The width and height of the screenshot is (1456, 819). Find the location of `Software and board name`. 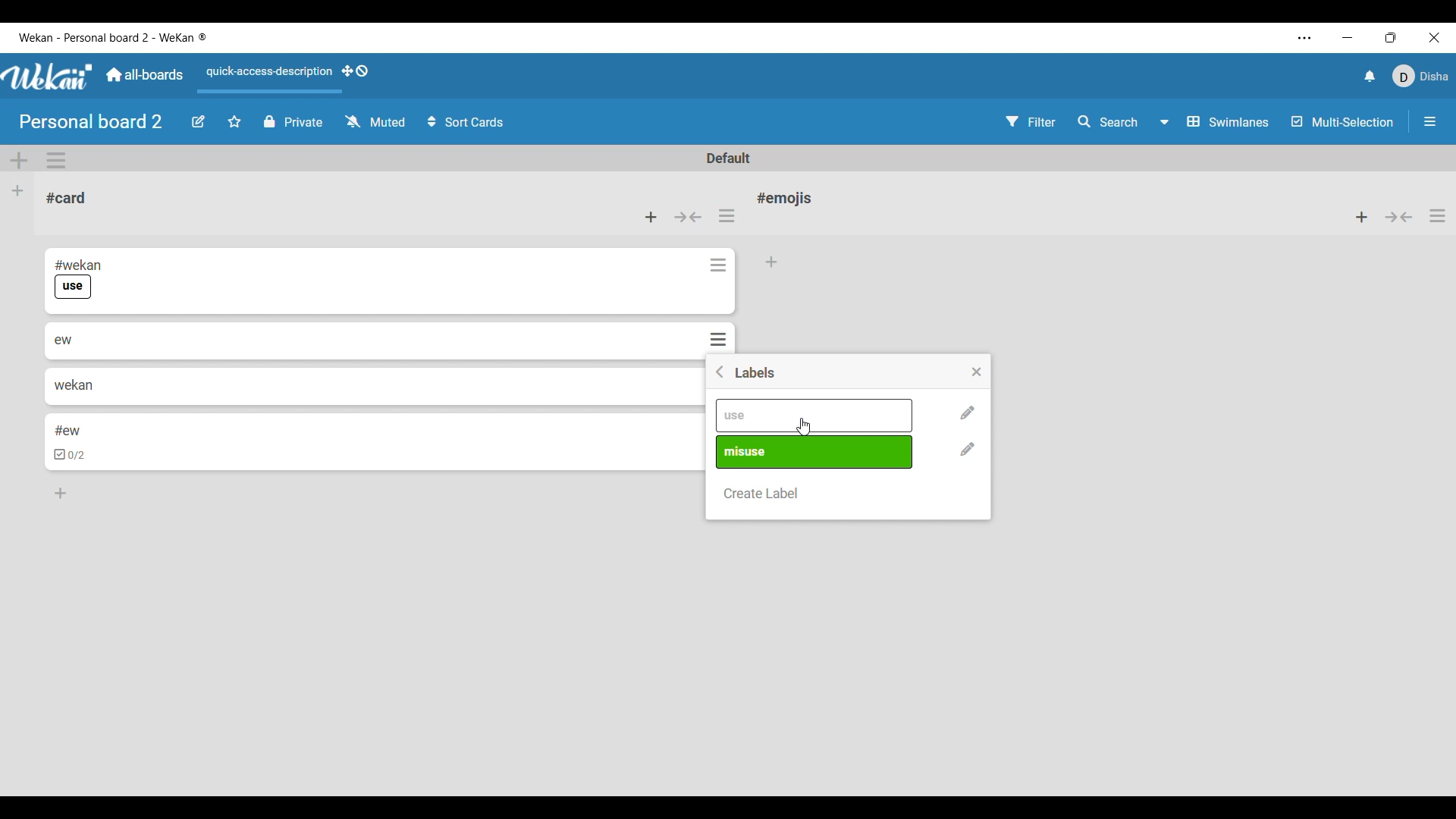

Software and board name is located at coordinates (111, 37).